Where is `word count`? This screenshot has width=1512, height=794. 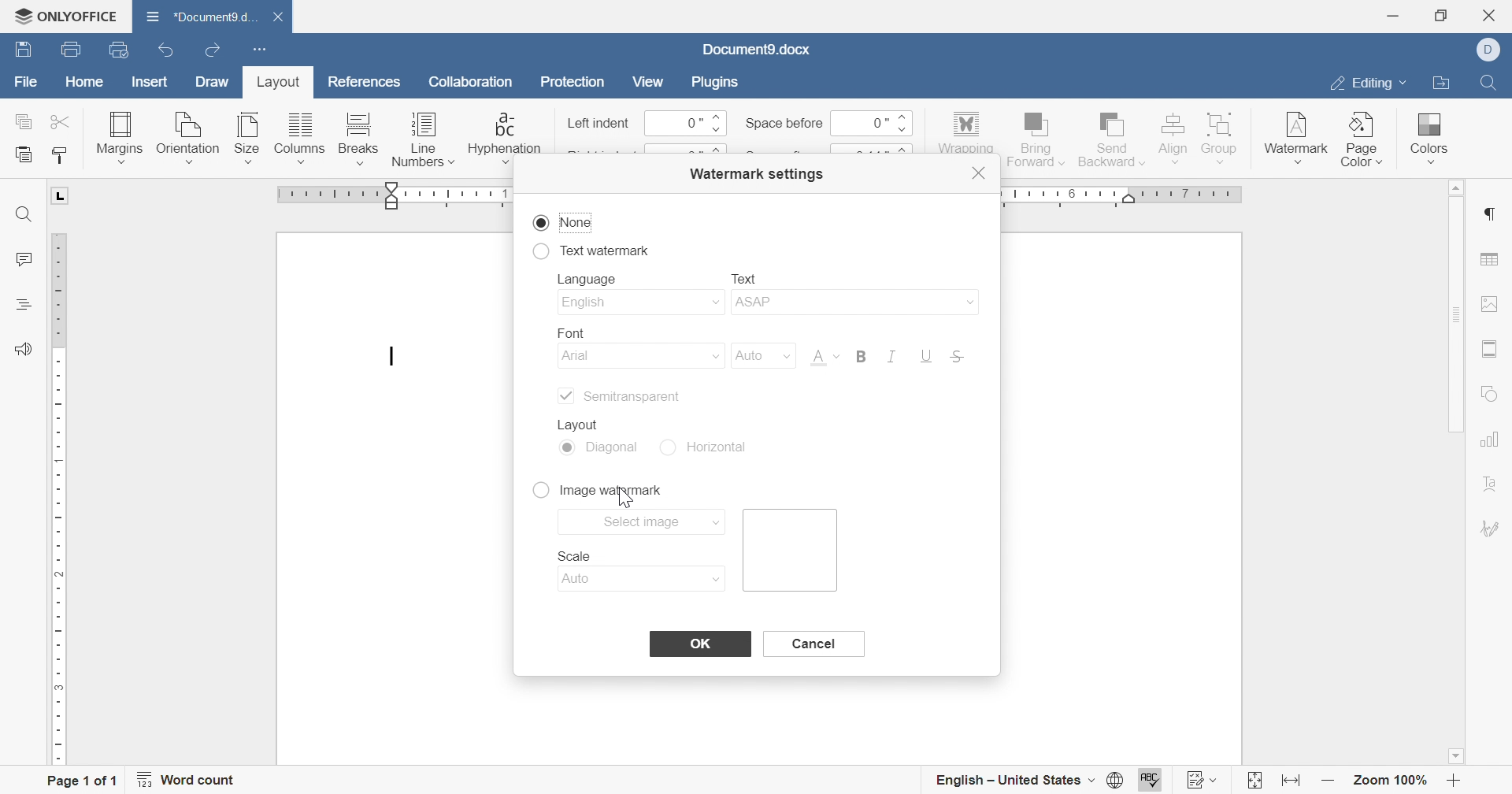 word count is located at coordinates (187, 780).